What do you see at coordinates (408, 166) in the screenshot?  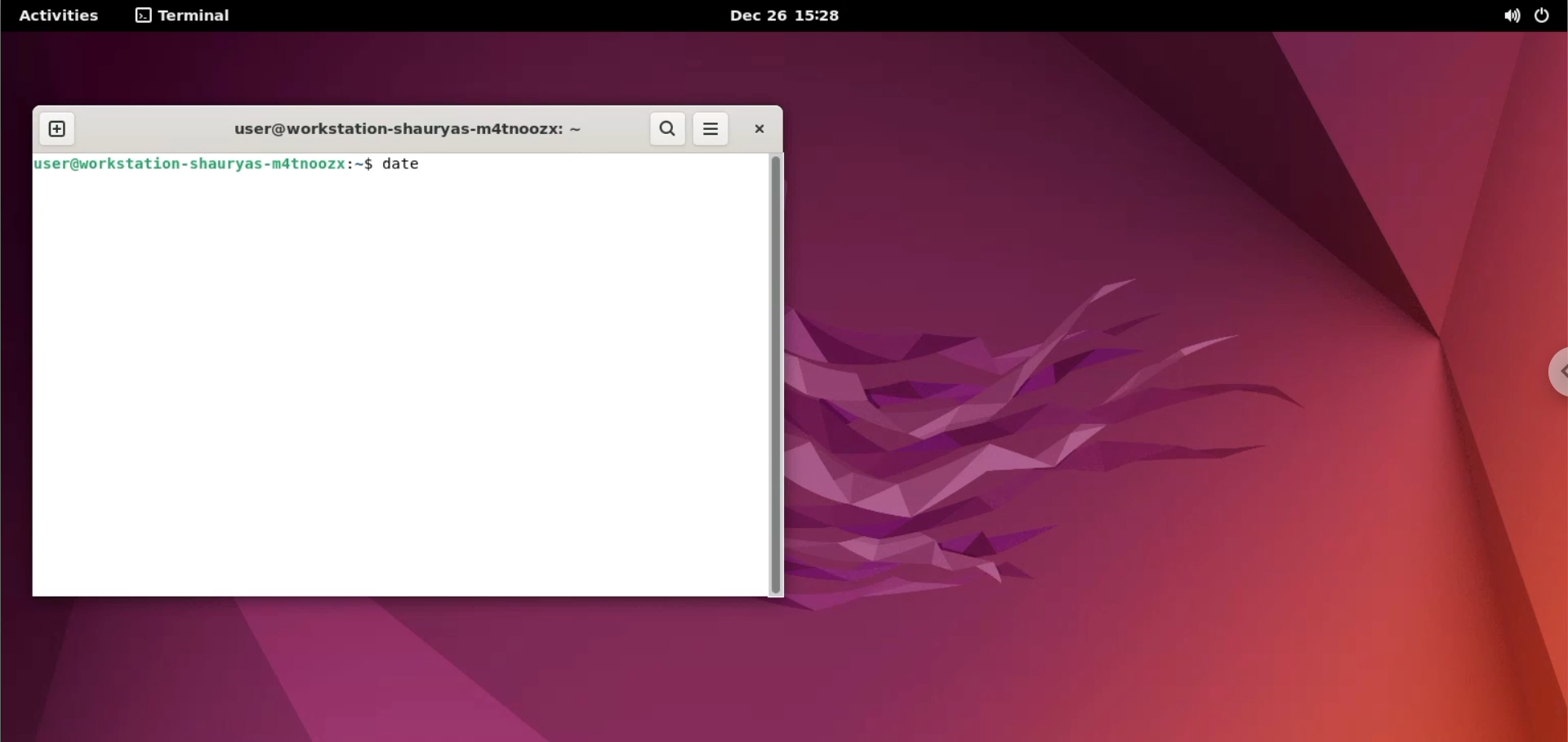 I see `date` at bounding box center [408, 166].